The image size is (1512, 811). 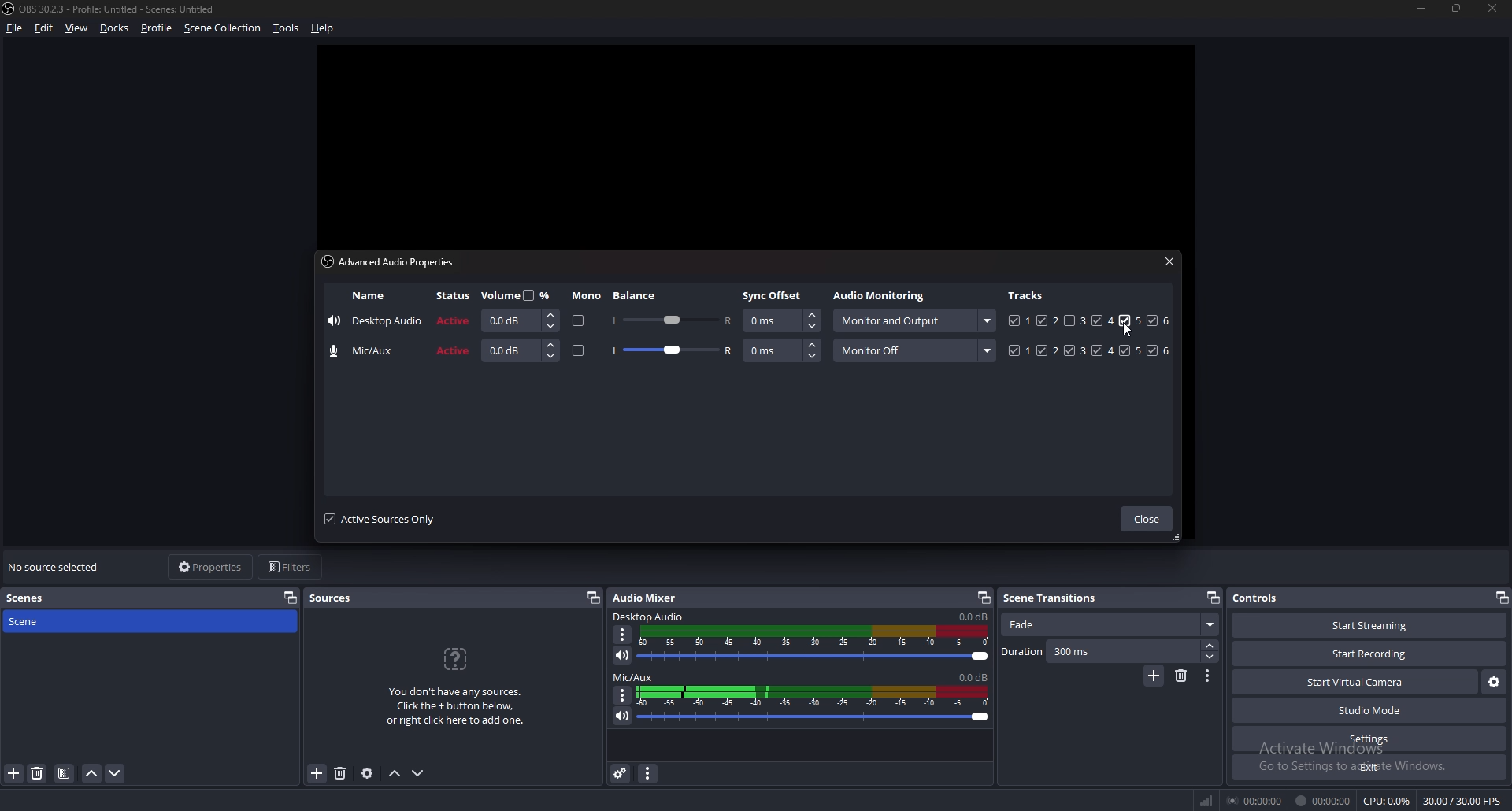 What do you see at coordinates (1212, 598) in the screenshot?
I see `pop out` at bounding box center [1212, 598].